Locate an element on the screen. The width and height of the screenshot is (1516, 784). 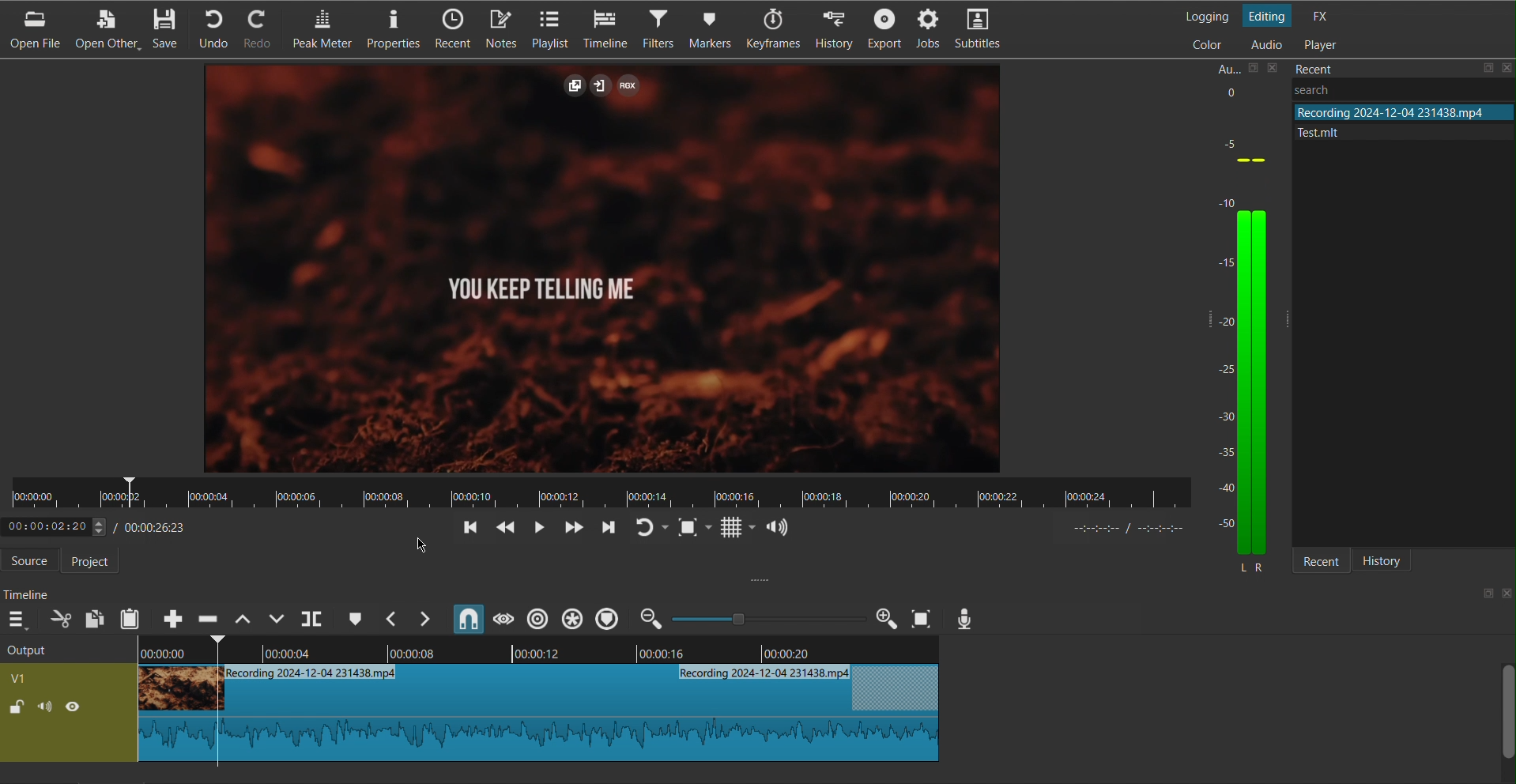
Show the volume control is located at coordinates (778, 529).